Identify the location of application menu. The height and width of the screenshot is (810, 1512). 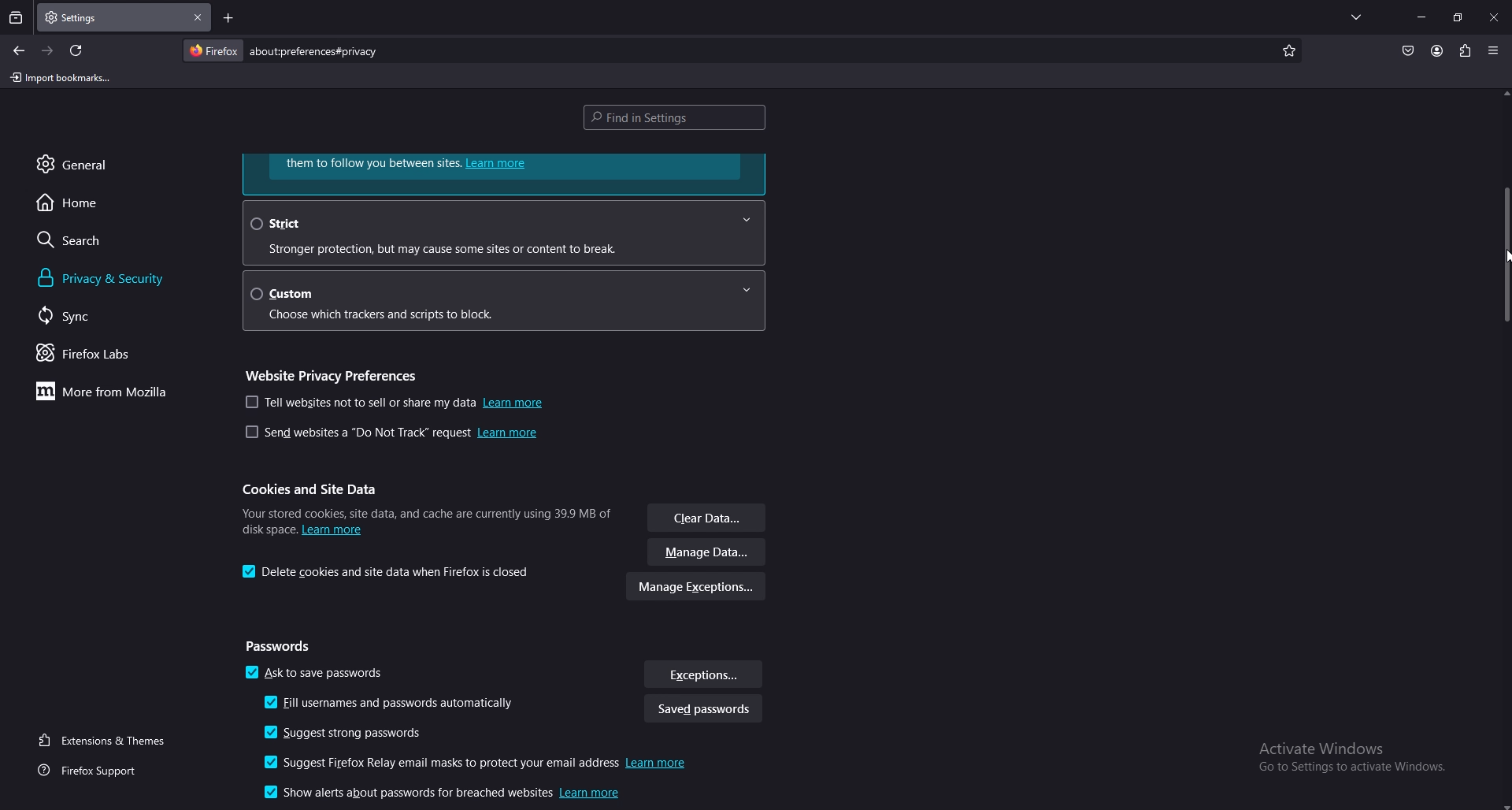
(1494, 49).